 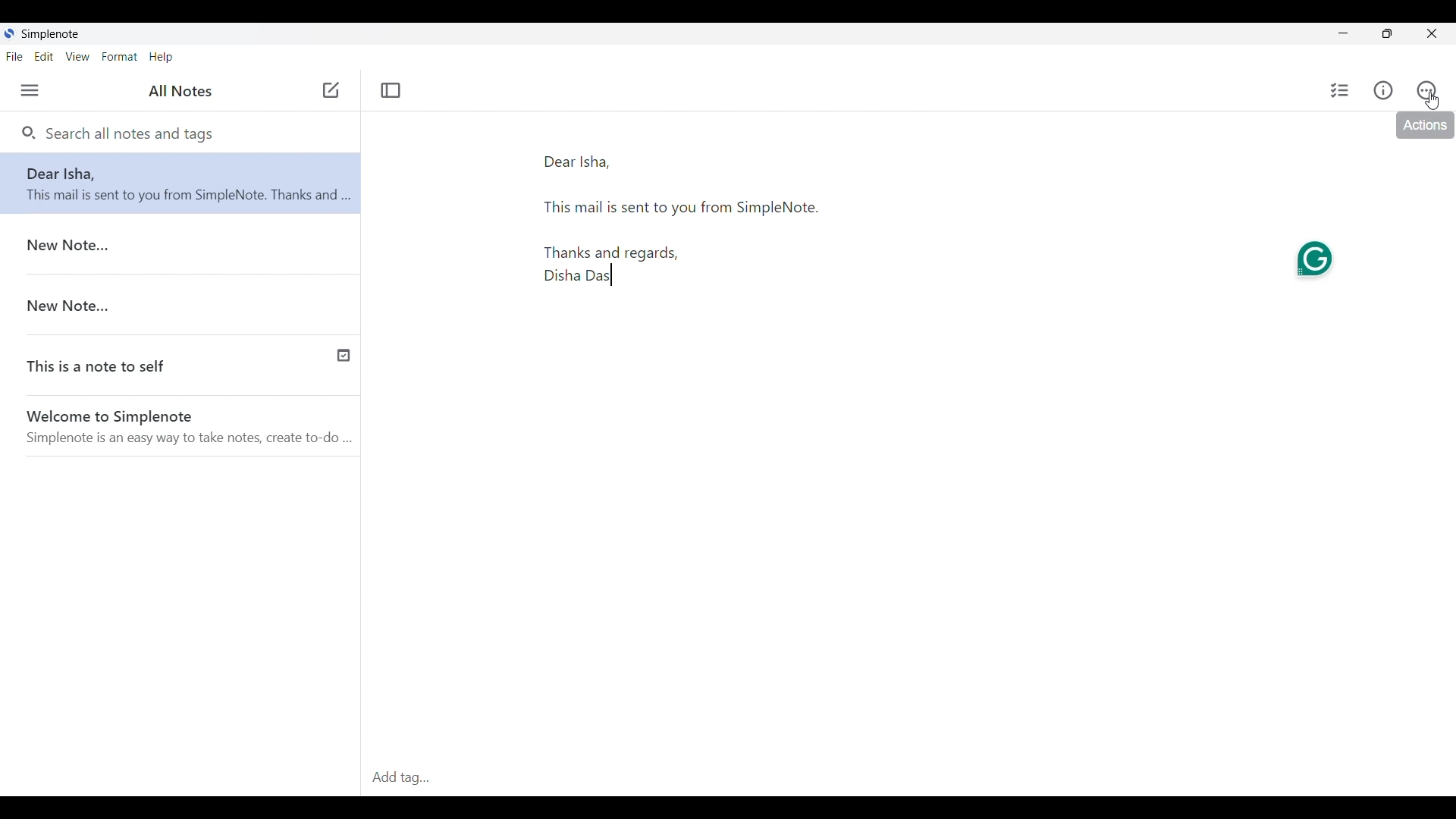 I want to click on Mail draft to disha  is pasted, so click(x=758, y=226).